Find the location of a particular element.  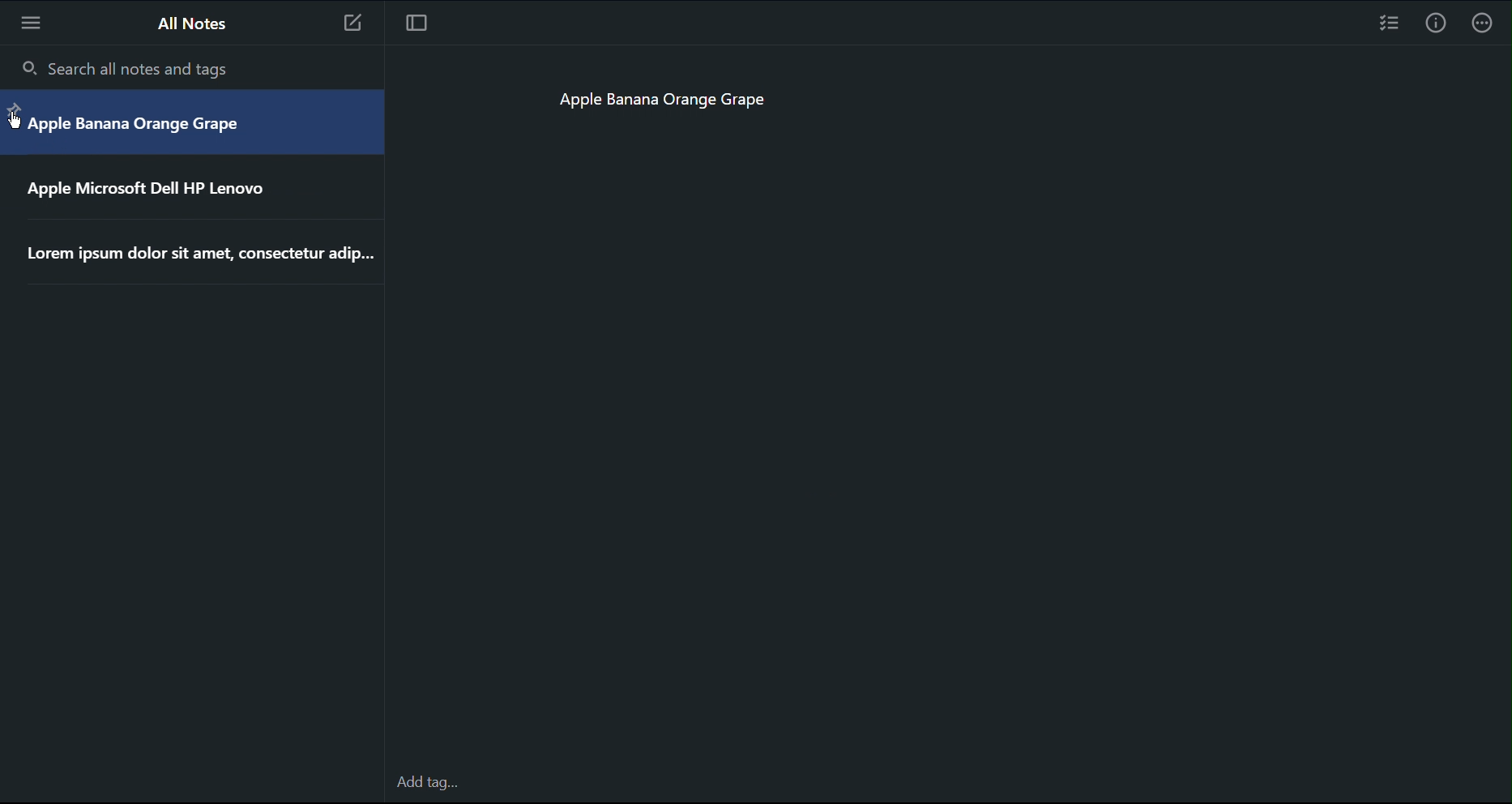

More is located at coordinates (28, 22).